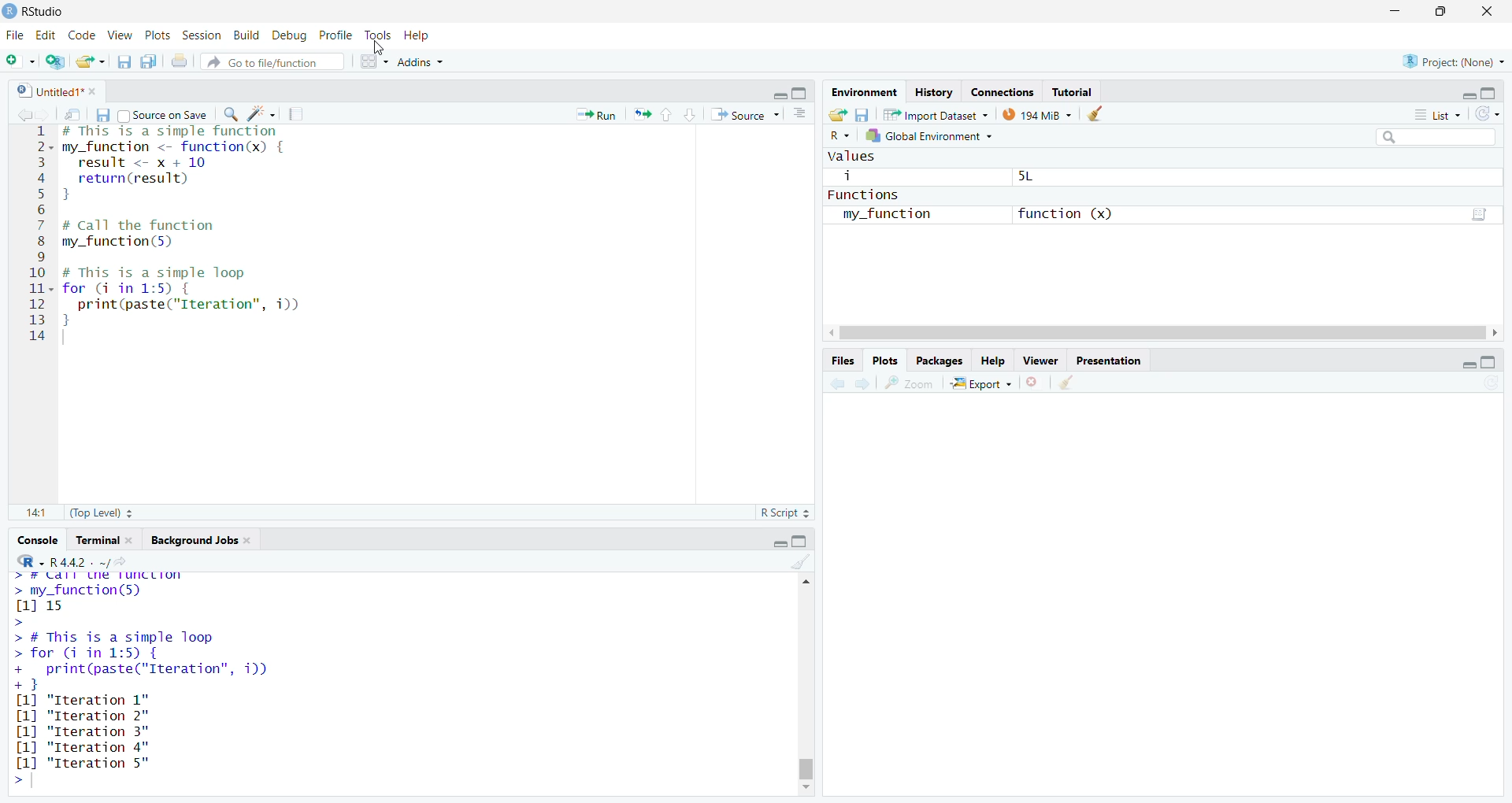 This screenshot has width=1512, height=803. Describe the element at coordinates (74, 113) in the screenshot. I see `show in new window` at that location.